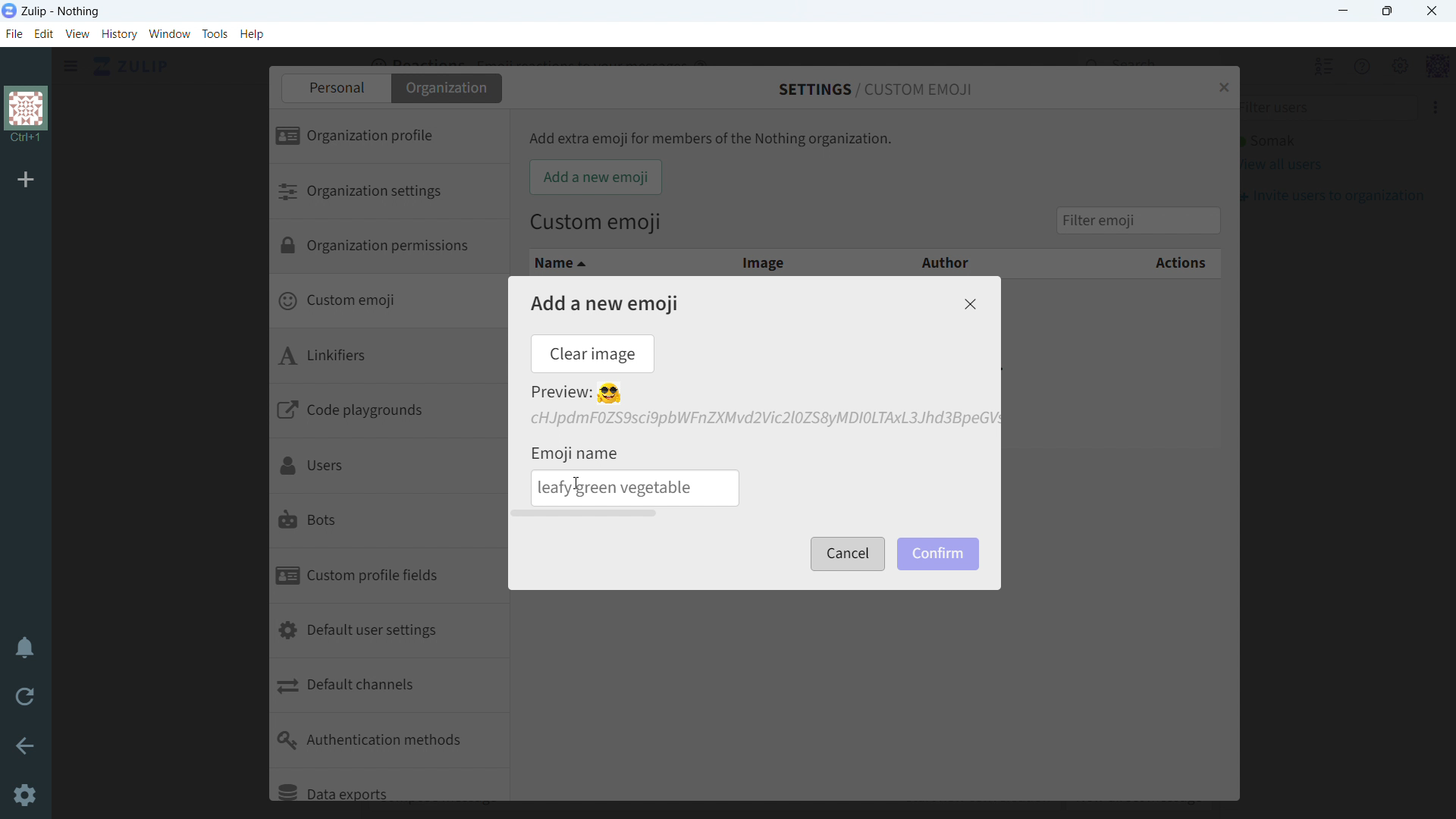 Image resolution: width=1456 pixels, height=819 pixels. Describe the element at coordinates (389, 413) in the screenshot. I see `code playgrounds` at that location.